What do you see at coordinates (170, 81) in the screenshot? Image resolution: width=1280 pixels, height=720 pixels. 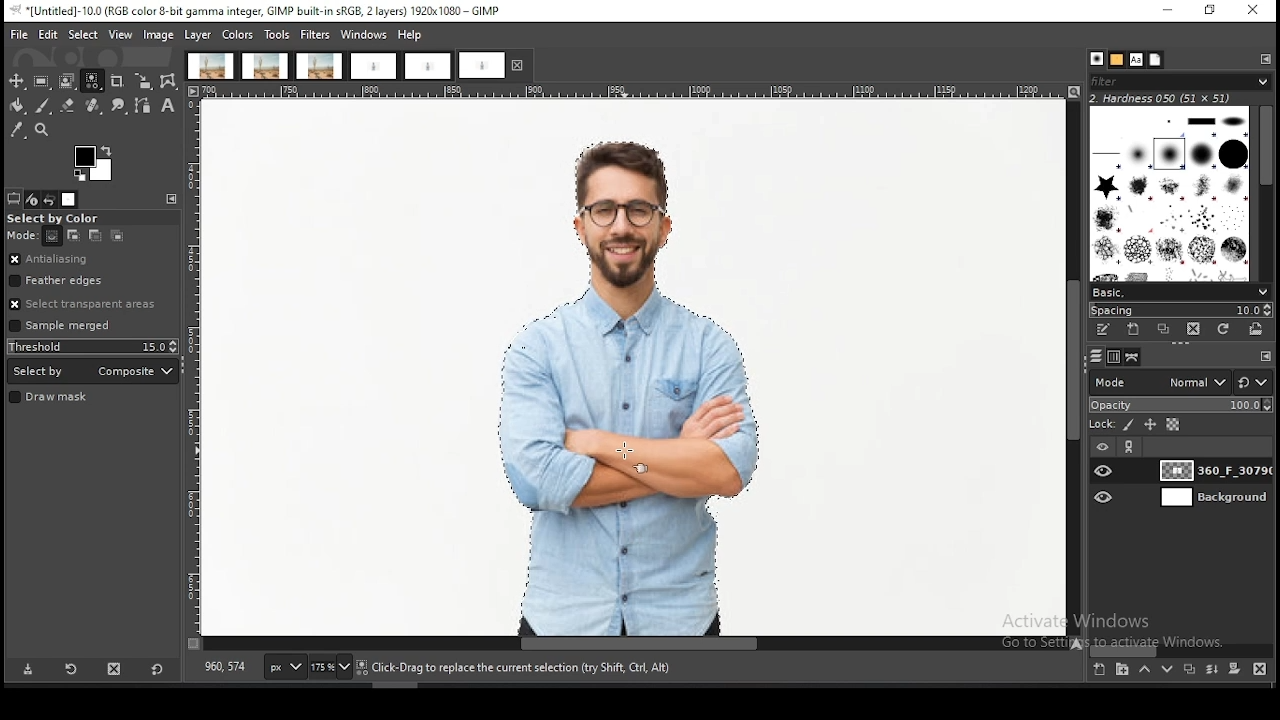 I see `cage transform tool` at bounding box center [170, 81].